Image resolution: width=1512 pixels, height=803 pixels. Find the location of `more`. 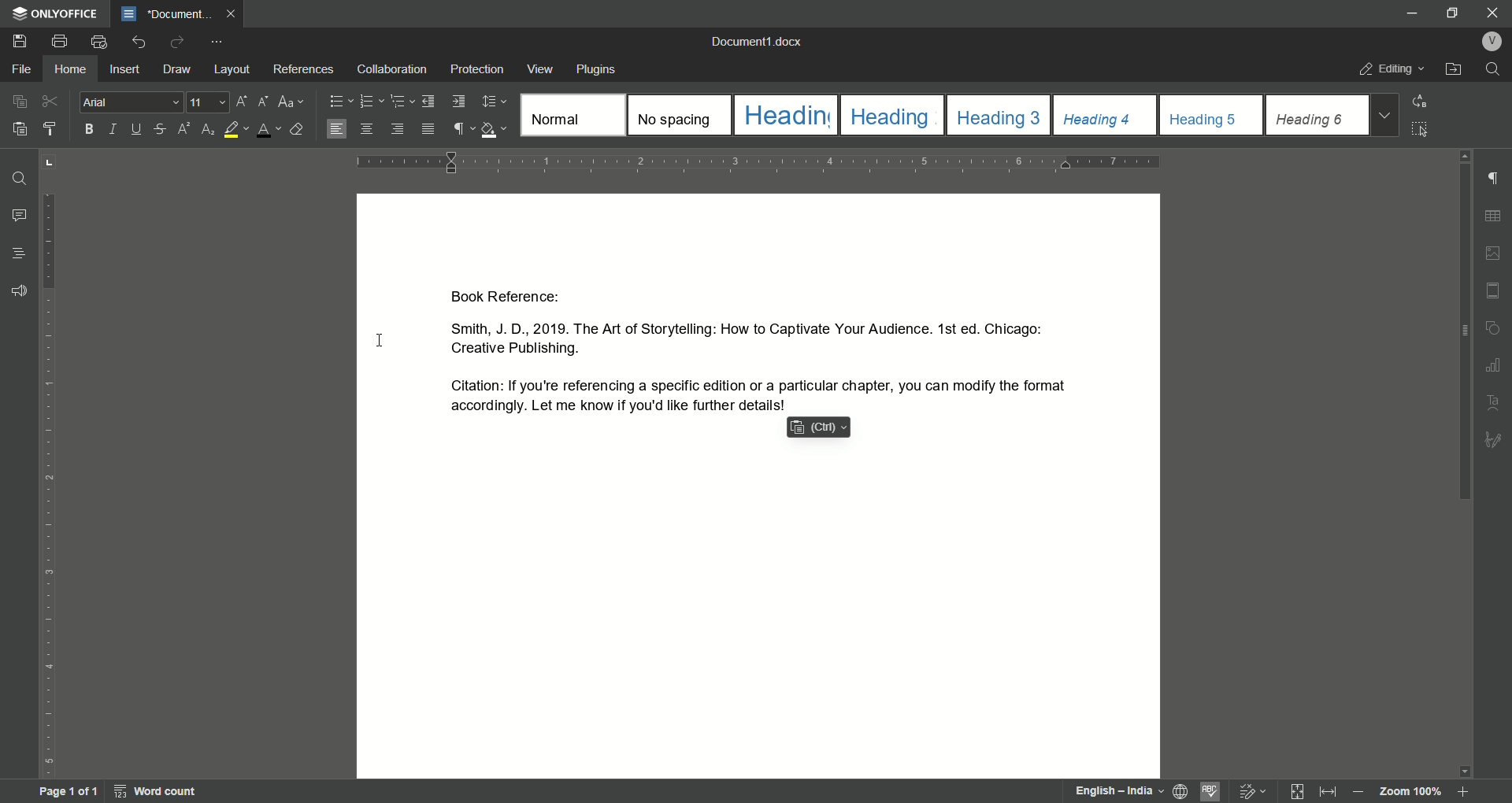

more is located at coordinates (217, 43).